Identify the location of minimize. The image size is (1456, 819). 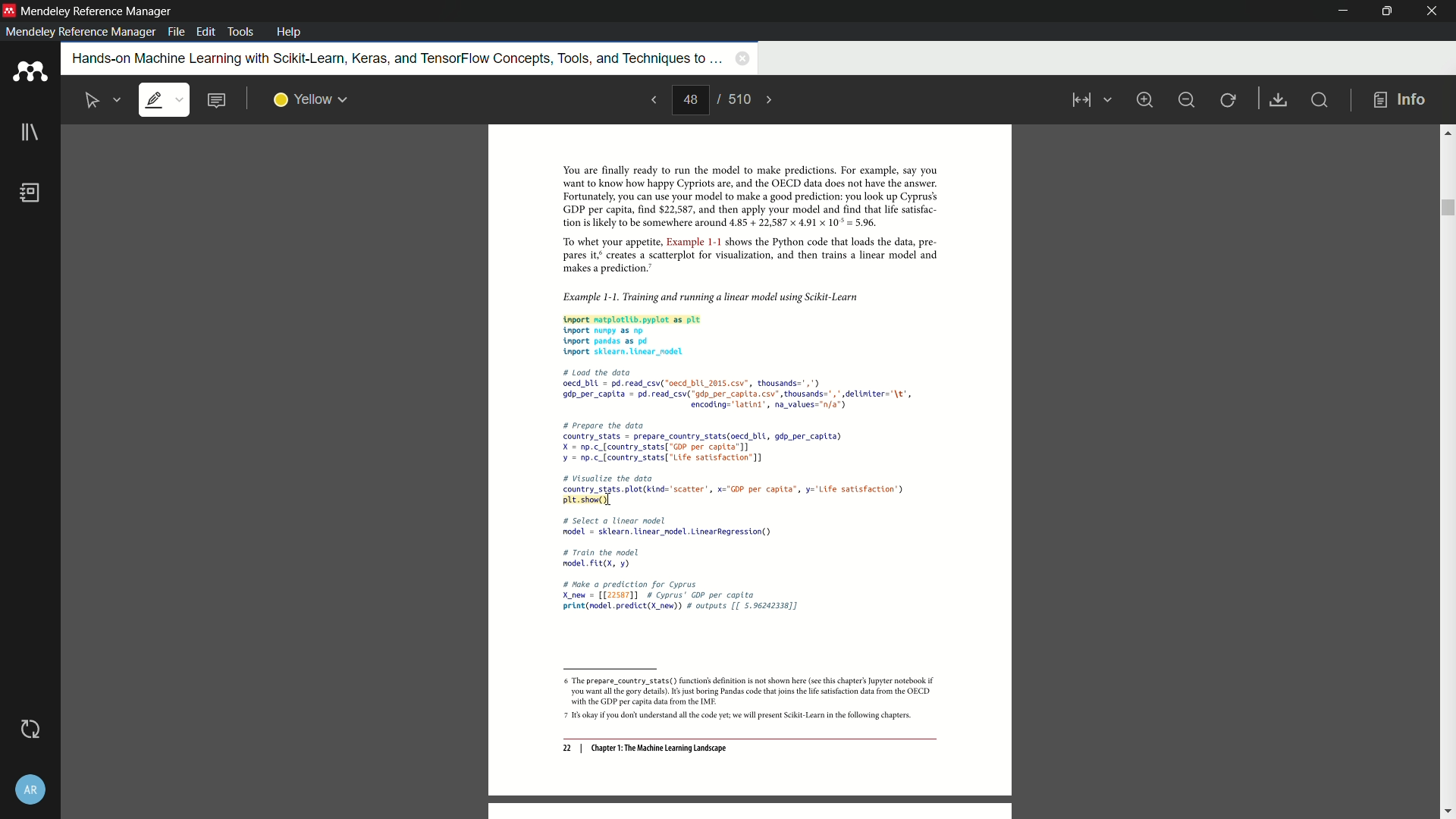
(1186, 100).